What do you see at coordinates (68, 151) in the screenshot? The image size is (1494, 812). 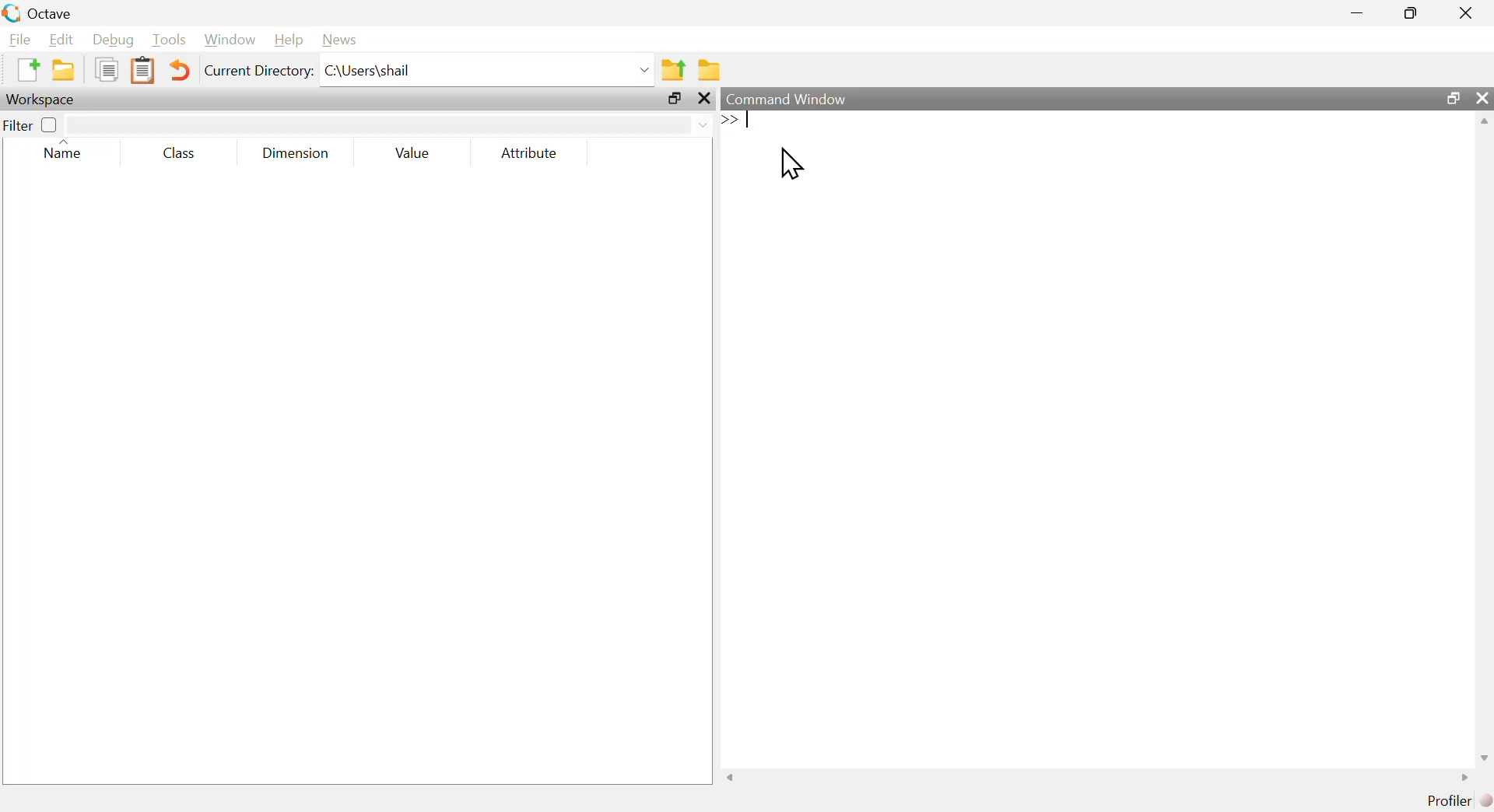 I see `name` at bounding box center [68, 151].